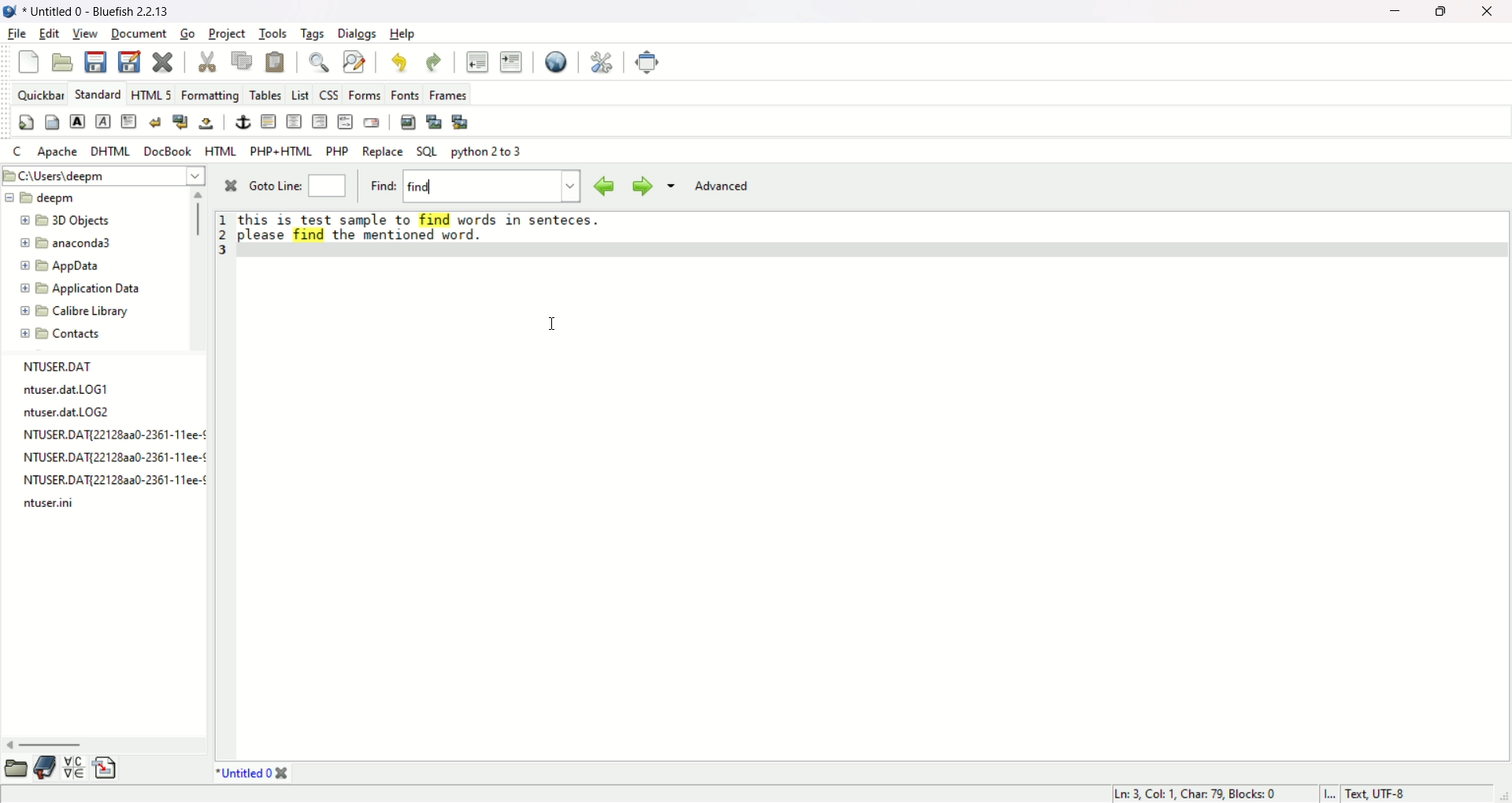  Describe the element at coordinates (104, 122) in the screenshot. I see `emphasis` at that location.